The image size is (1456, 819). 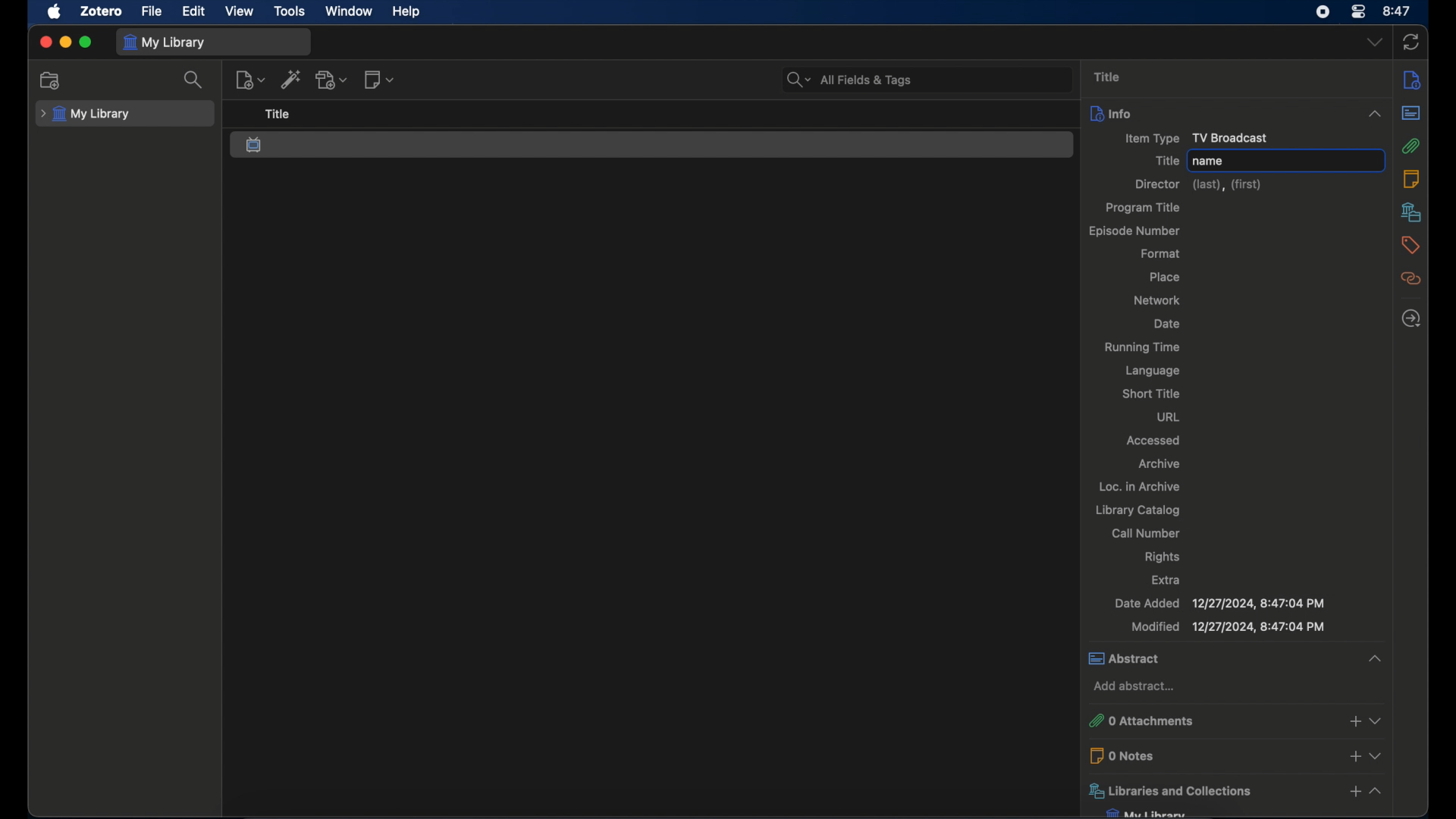 What do you see at coordinates (292, 80) in the screenshot?
I see `add item by identifier` at bounding box center [292, 80].